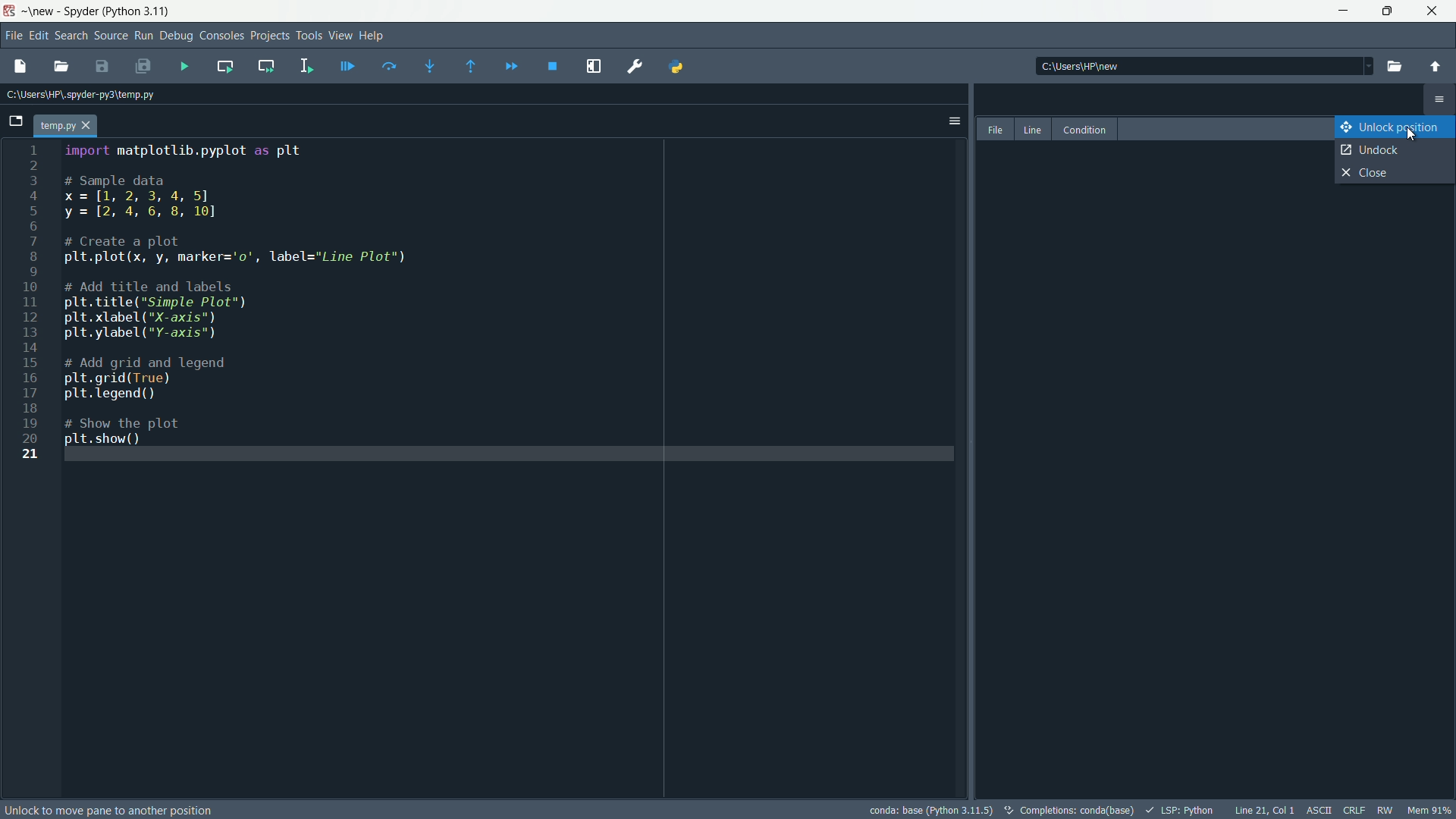  Describe the element at coordinates (264, 64) in the screenshot. I see `run current cell and go to next one` at that location.